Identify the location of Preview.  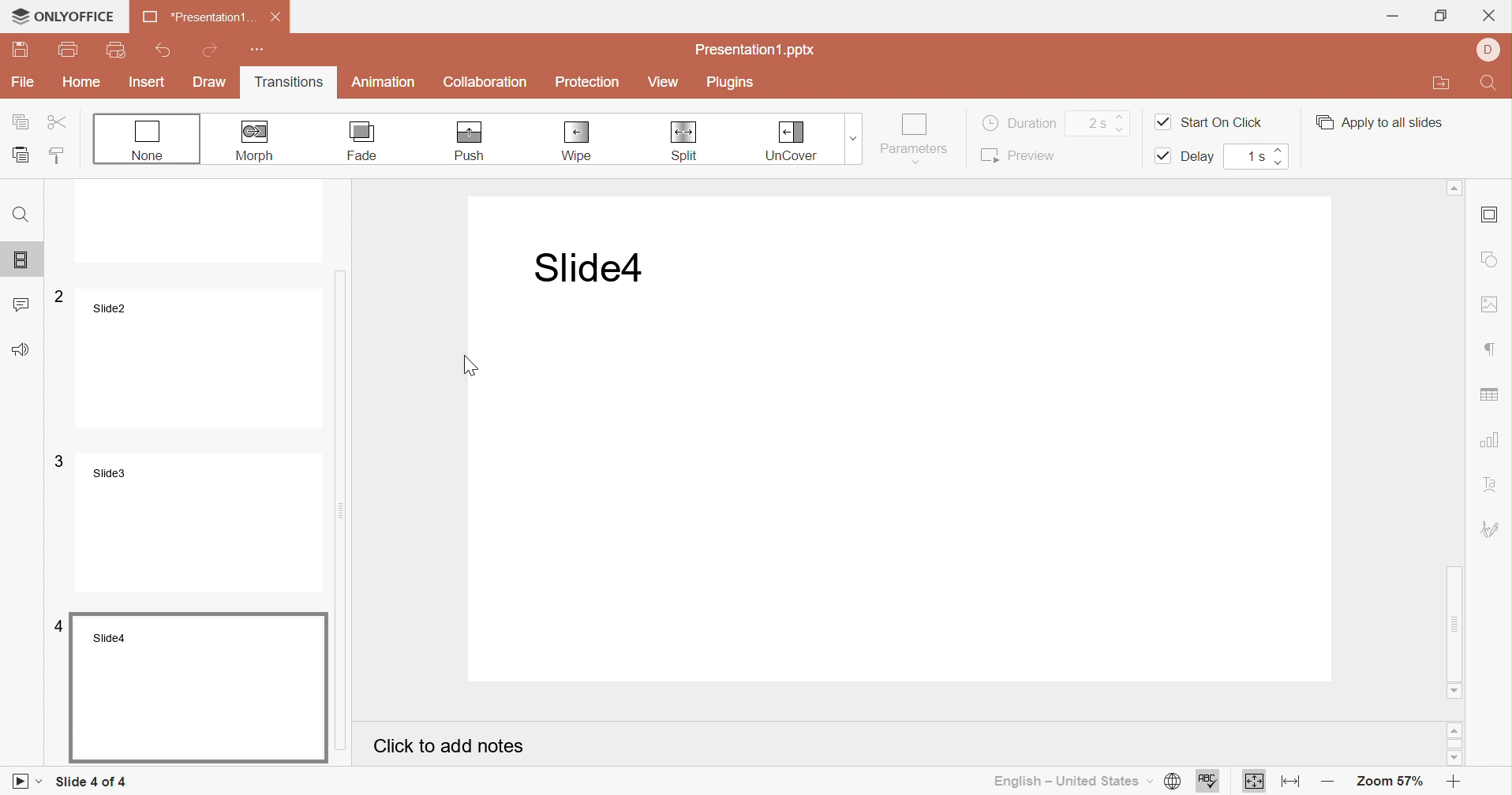
(1017, 155).